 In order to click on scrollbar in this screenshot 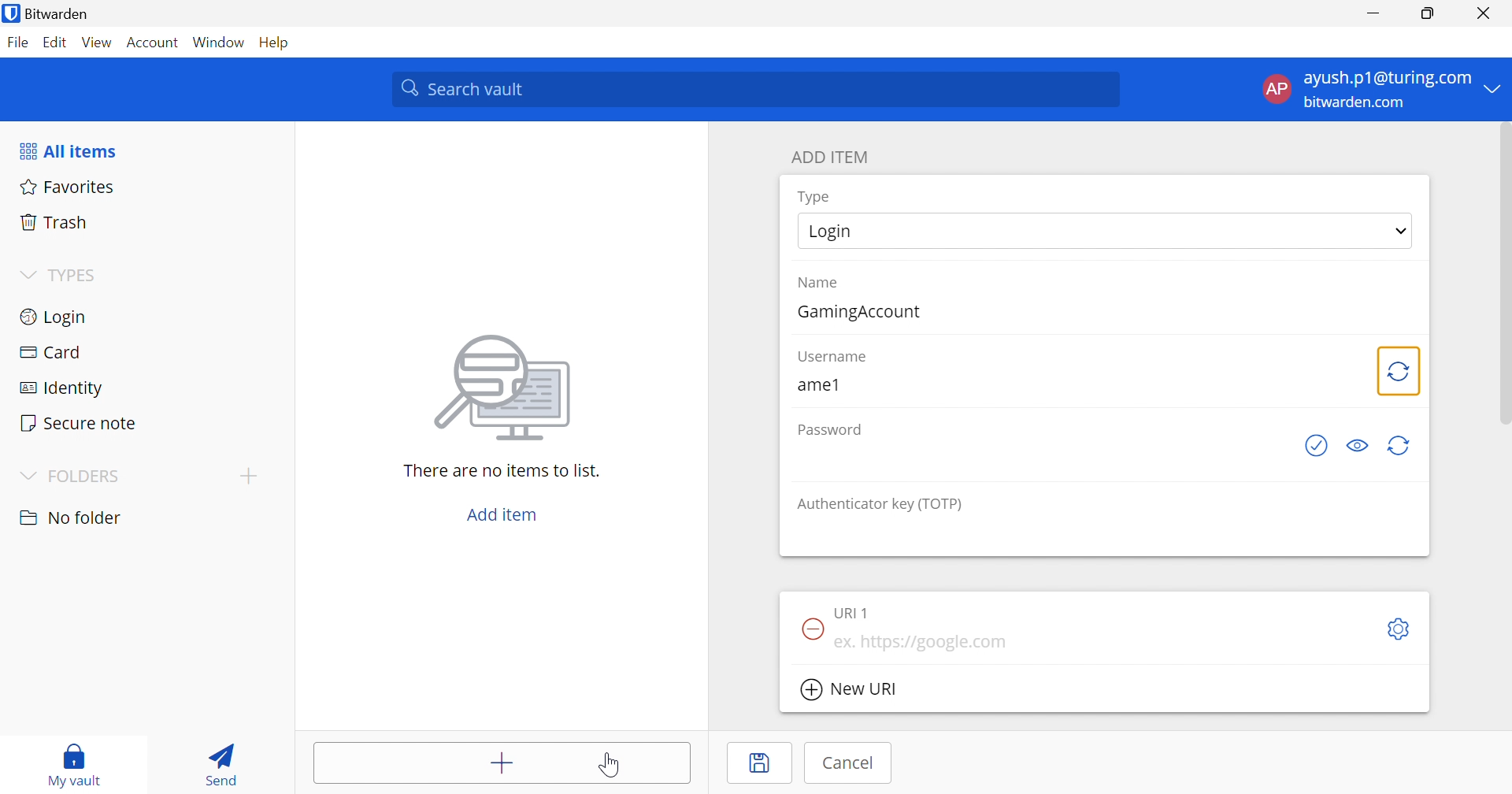, I will do `click(1501, 281)`.